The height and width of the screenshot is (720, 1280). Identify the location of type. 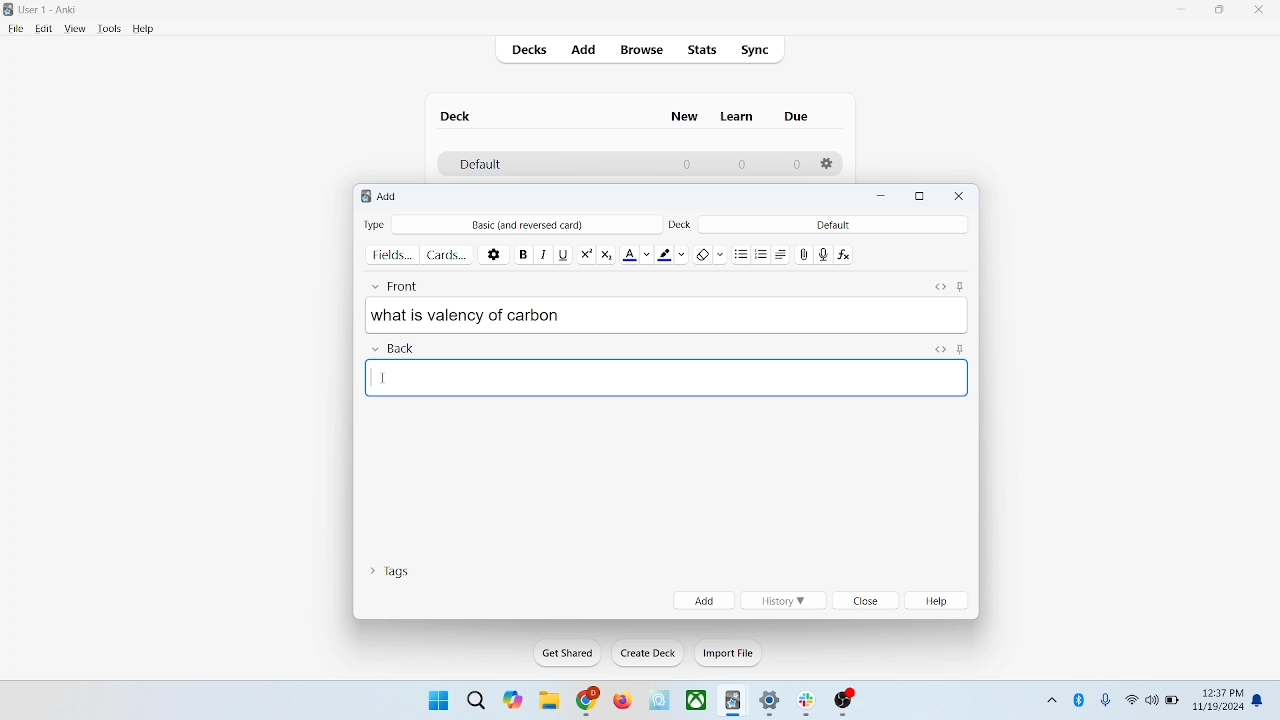
(374, 224).